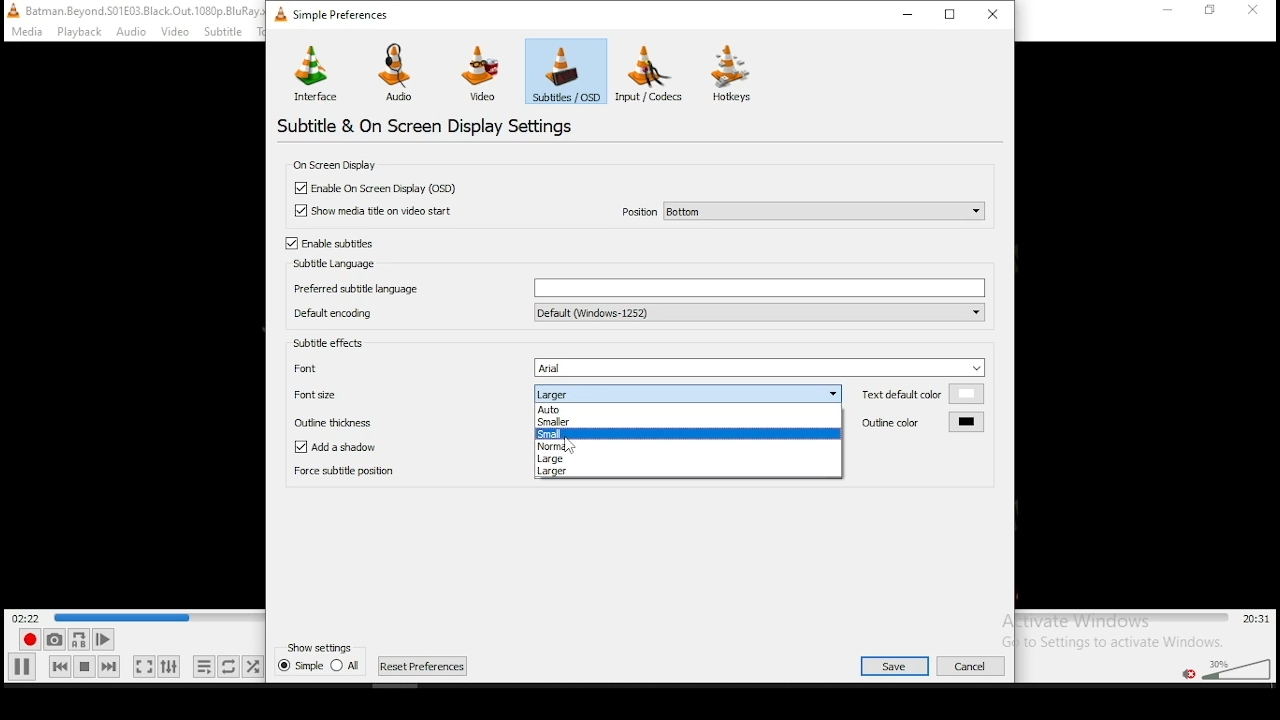 Image resolution: width=1280 pixels, height=720 pixels. Describe the element at coordinates (640, 367) in the screenshot. I see `font` at that location.